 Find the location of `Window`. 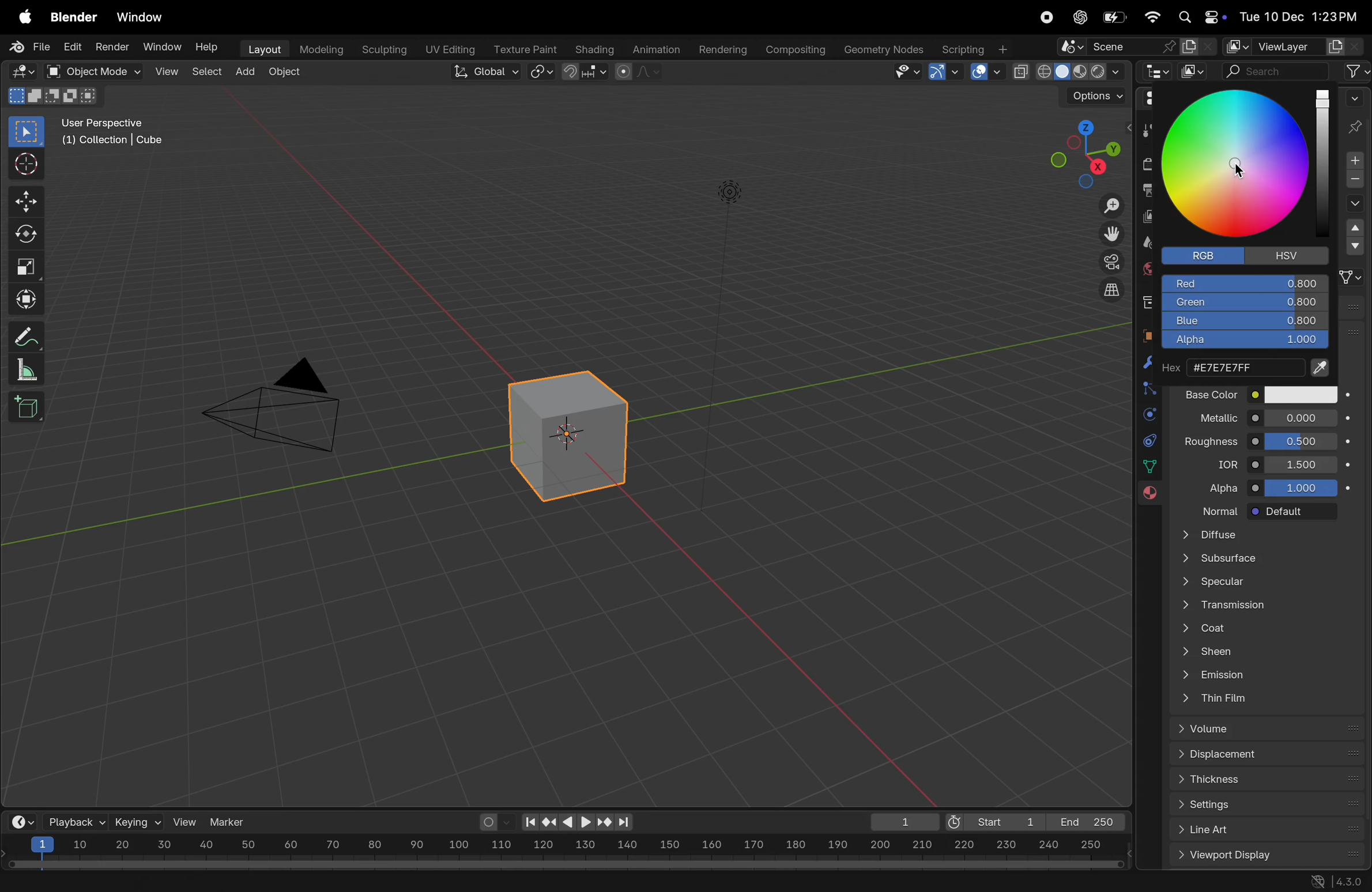

Window is located at coordinates (163, 47).